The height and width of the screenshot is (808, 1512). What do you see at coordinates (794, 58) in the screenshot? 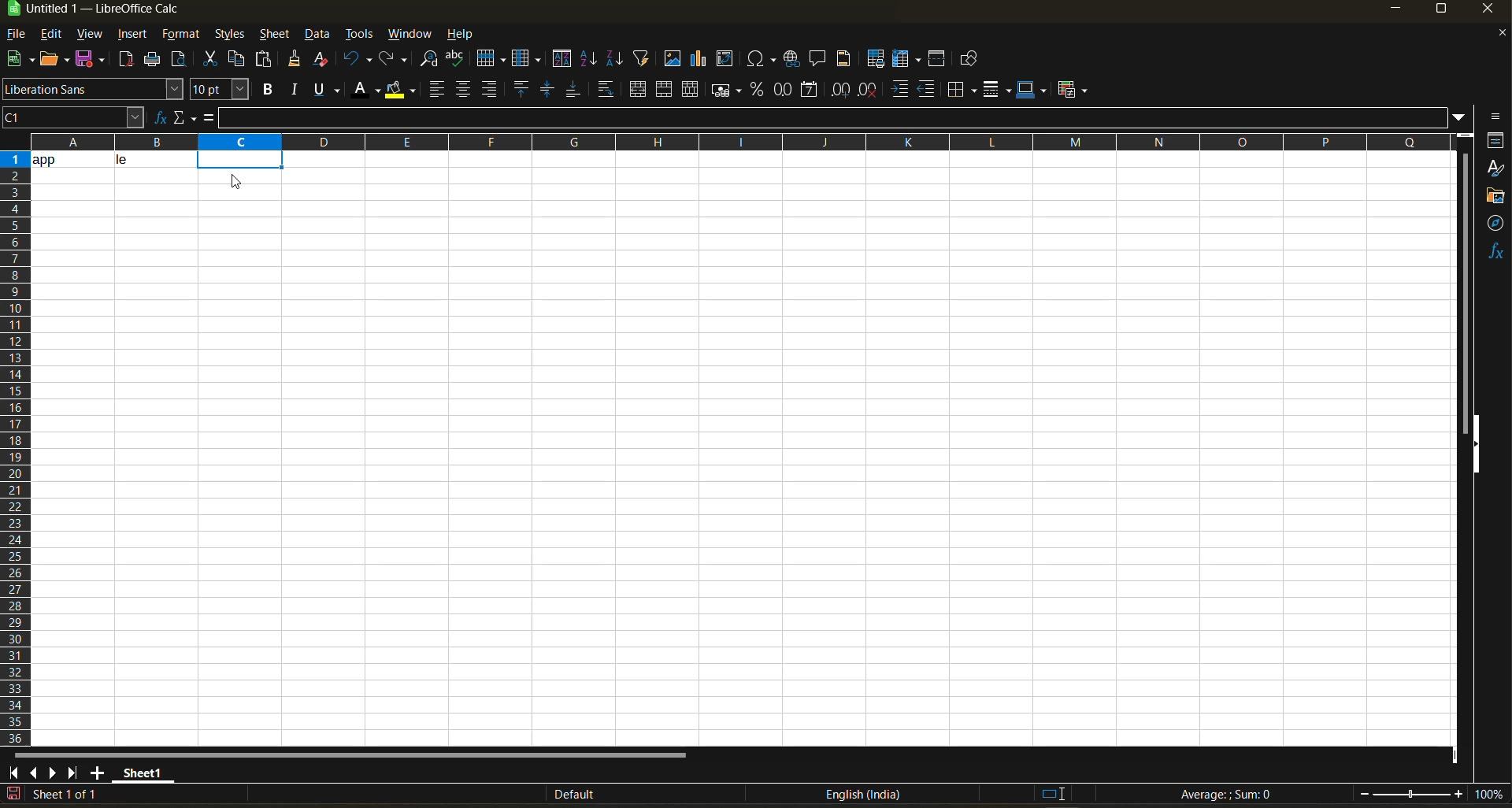
I see `insert hyperlink` at bounding box center [794, 58].